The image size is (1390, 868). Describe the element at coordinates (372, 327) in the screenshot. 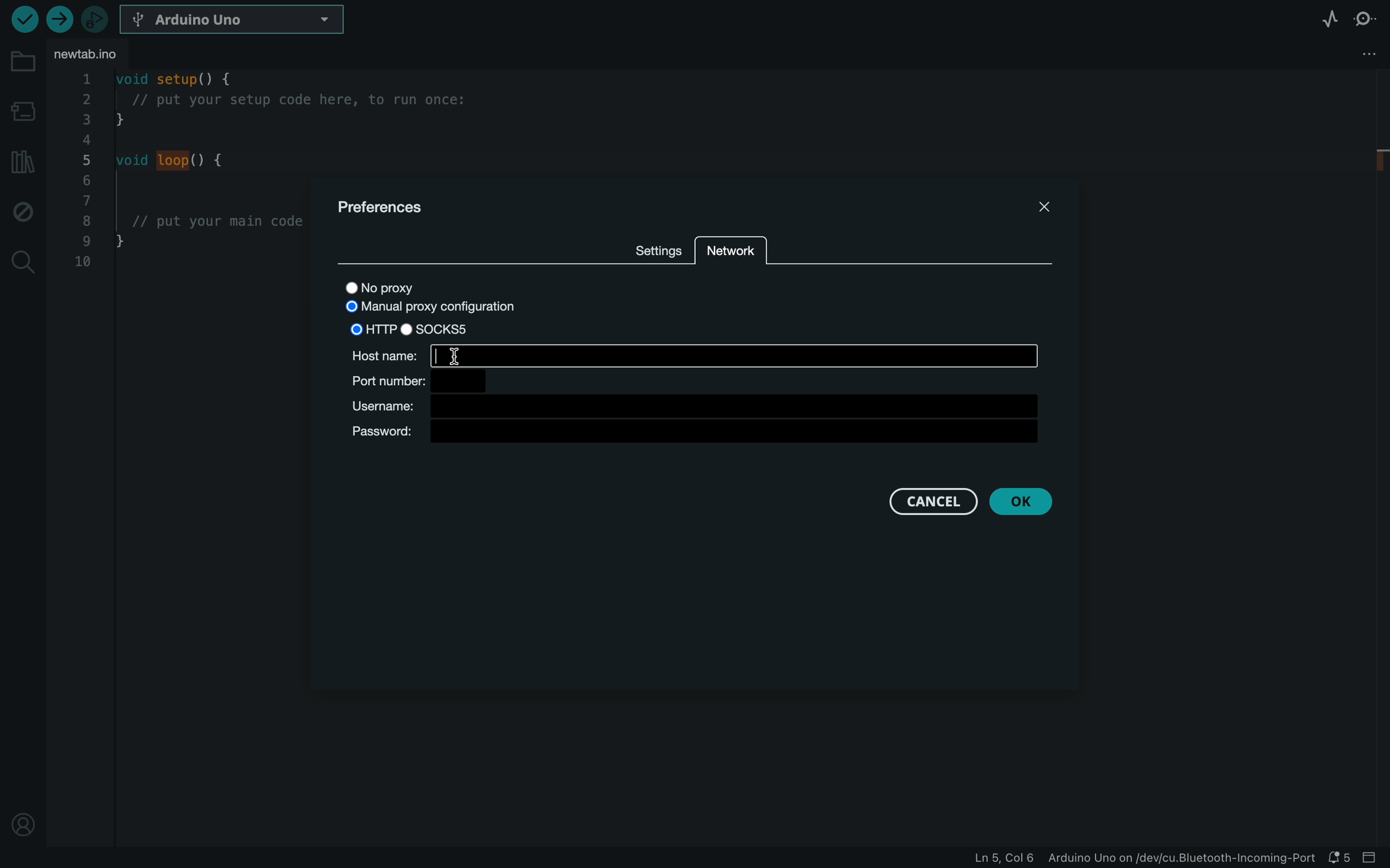

I see `HTTP` at that location.